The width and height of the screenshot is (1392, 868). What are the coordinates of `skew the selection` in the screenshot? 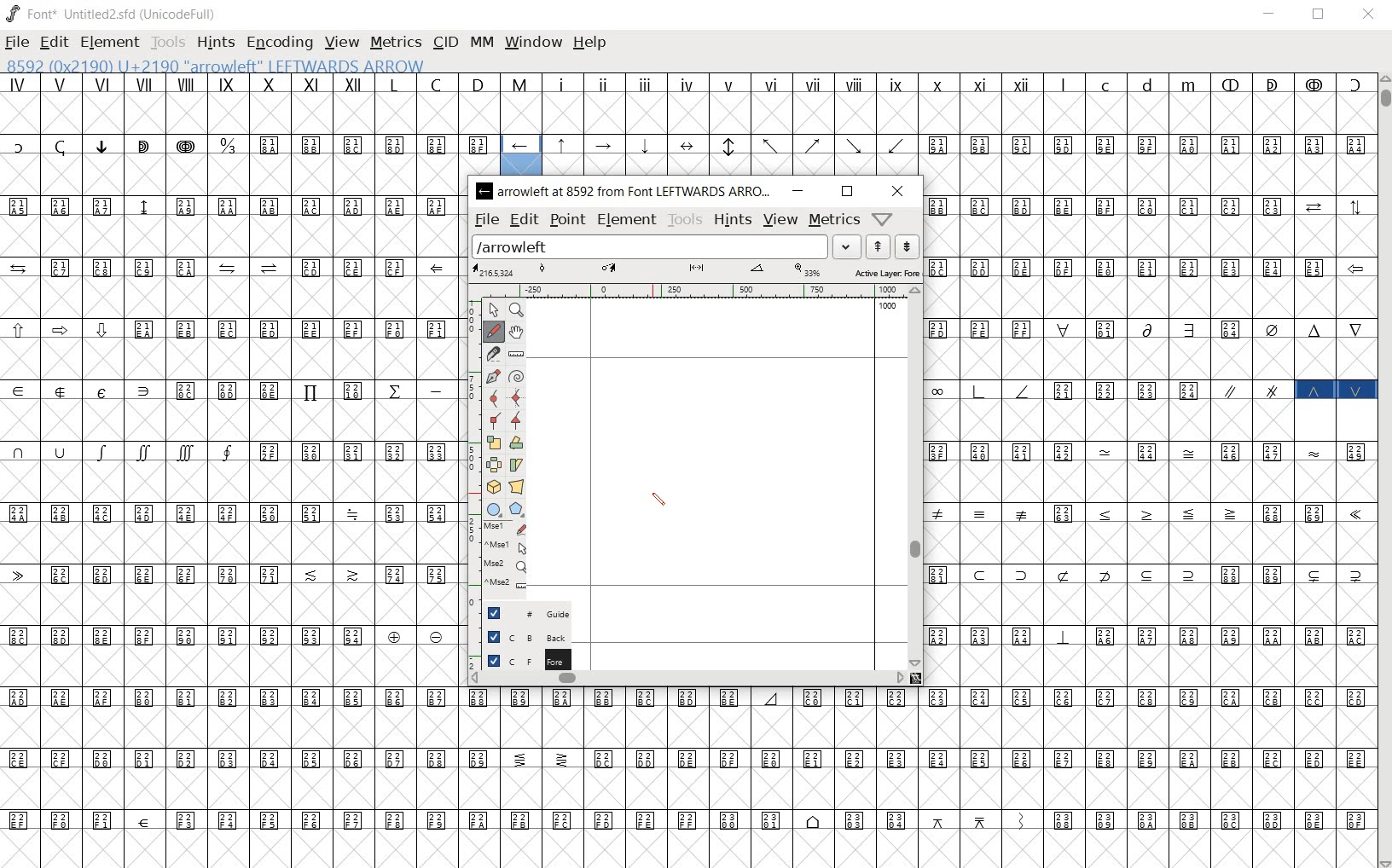 It's located at (517, 465).